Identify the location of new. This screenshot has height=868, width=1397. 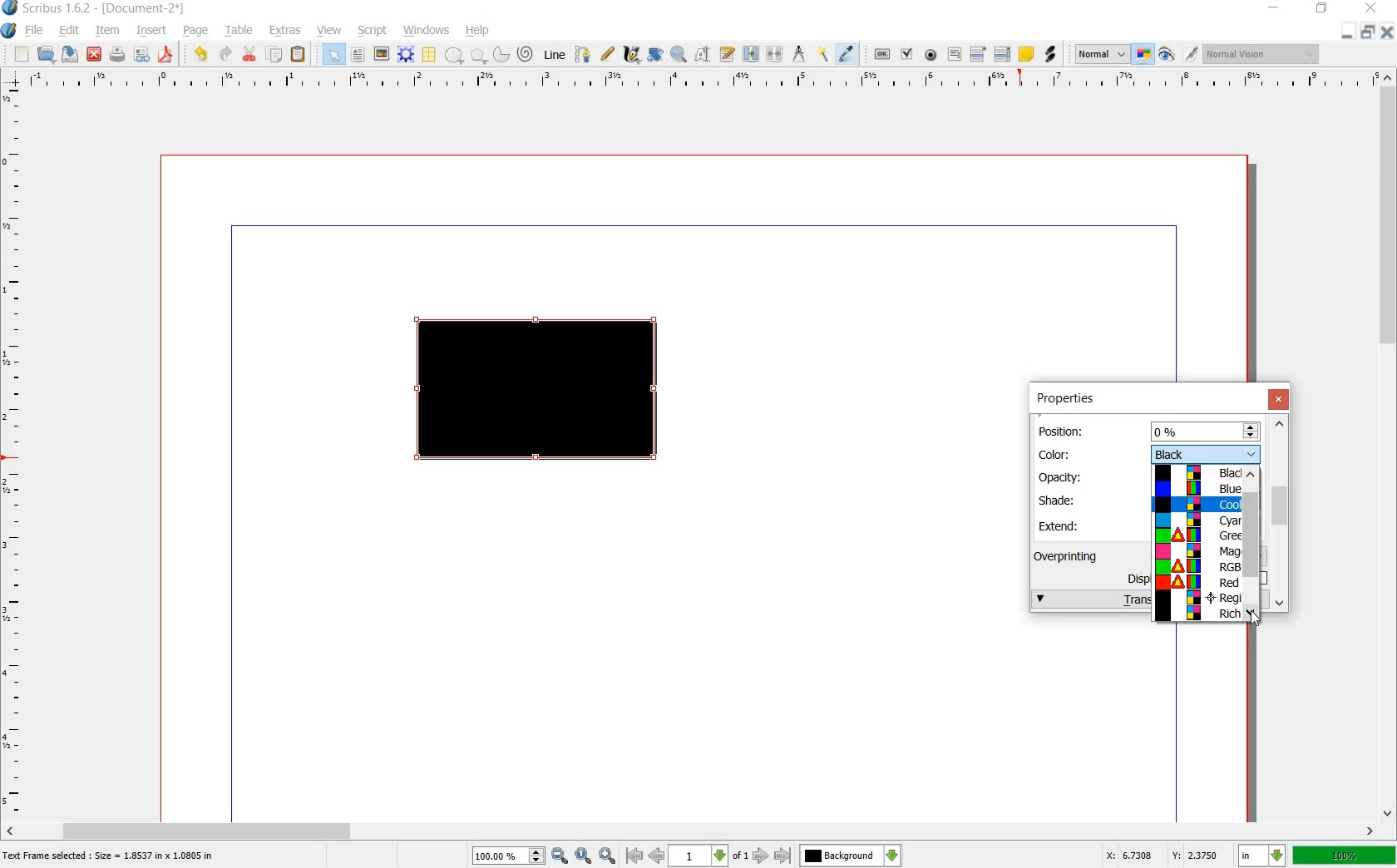
(22, 55).